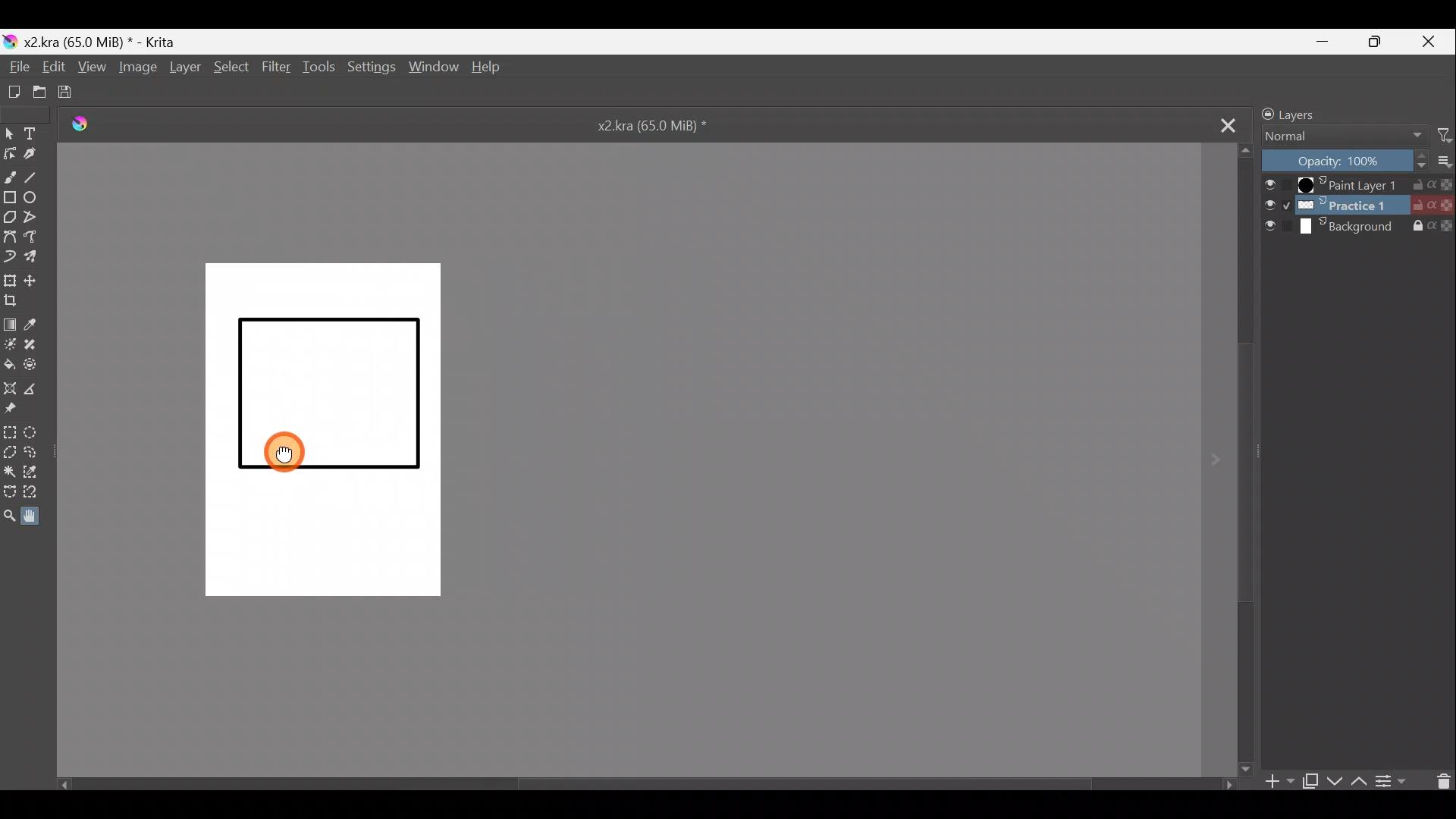 The height and width of the screenshot is (819, 1456). I want to click on Dynamic brush tool, so click(9, 254).